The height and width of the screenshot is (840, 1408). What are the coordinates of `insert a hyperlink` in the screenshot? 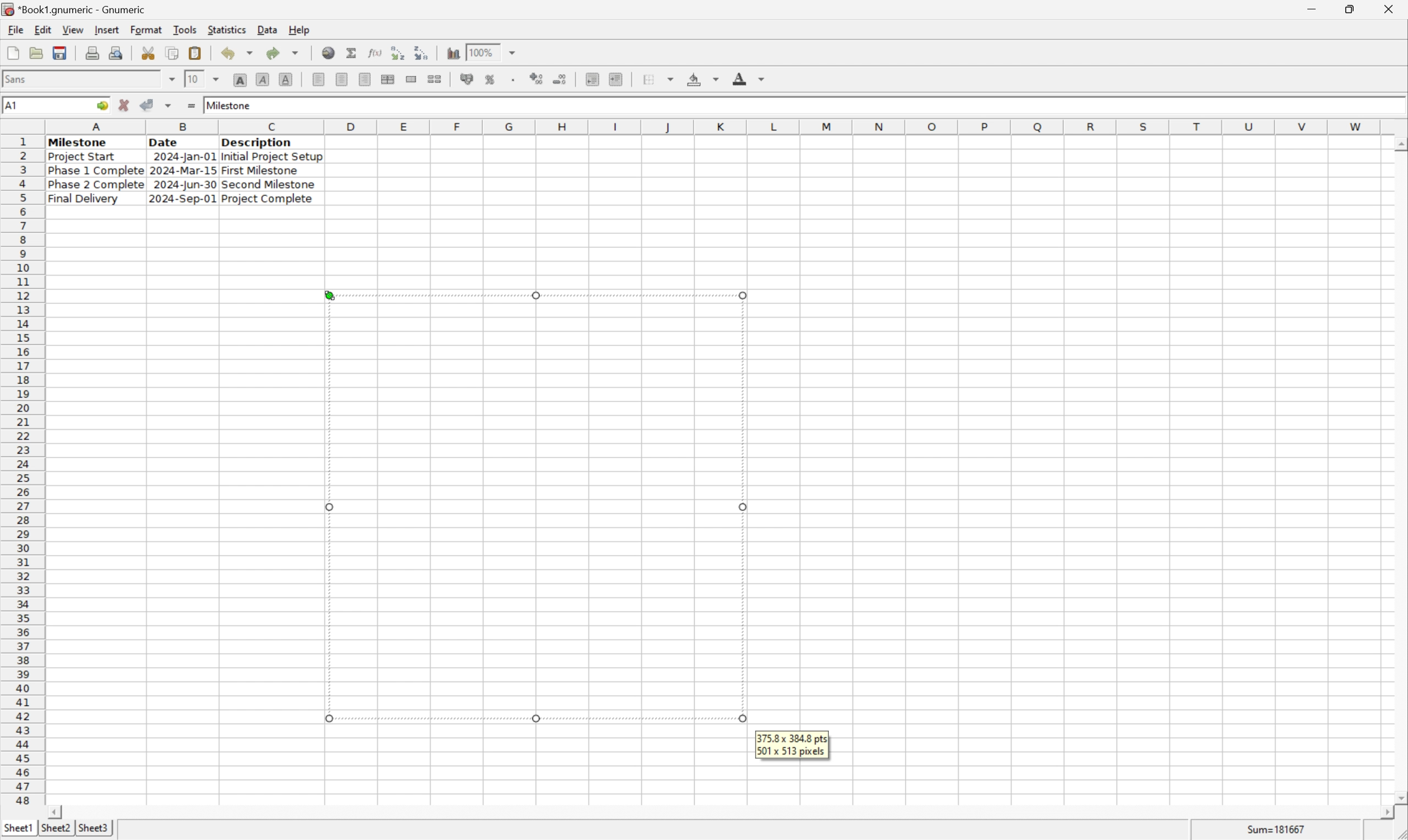 It's located at (329, 53).